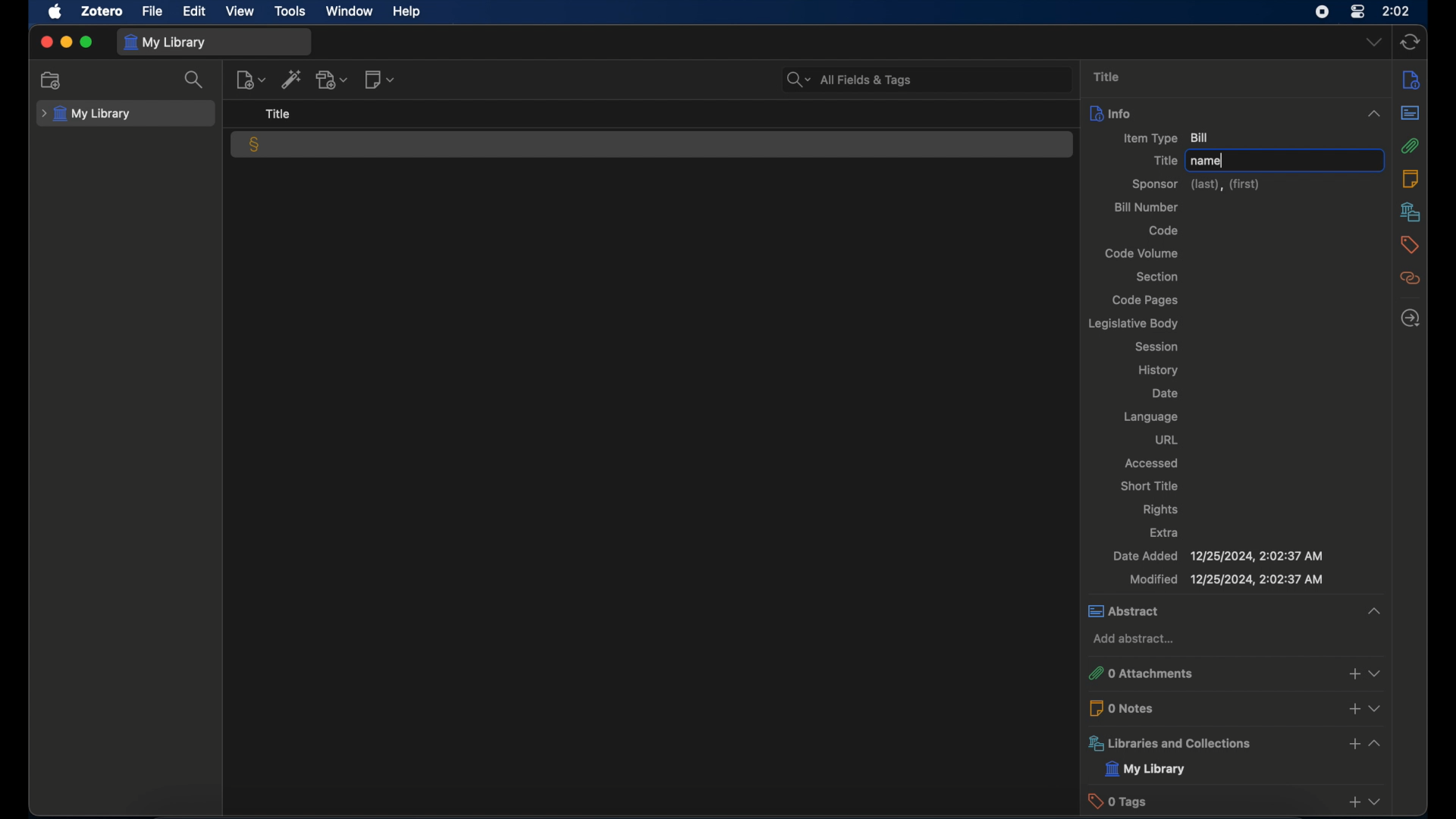  What do you see at coordinates (1146, 300) in the screenshot?
I see `code pages` at bounding box center [1146, 300].